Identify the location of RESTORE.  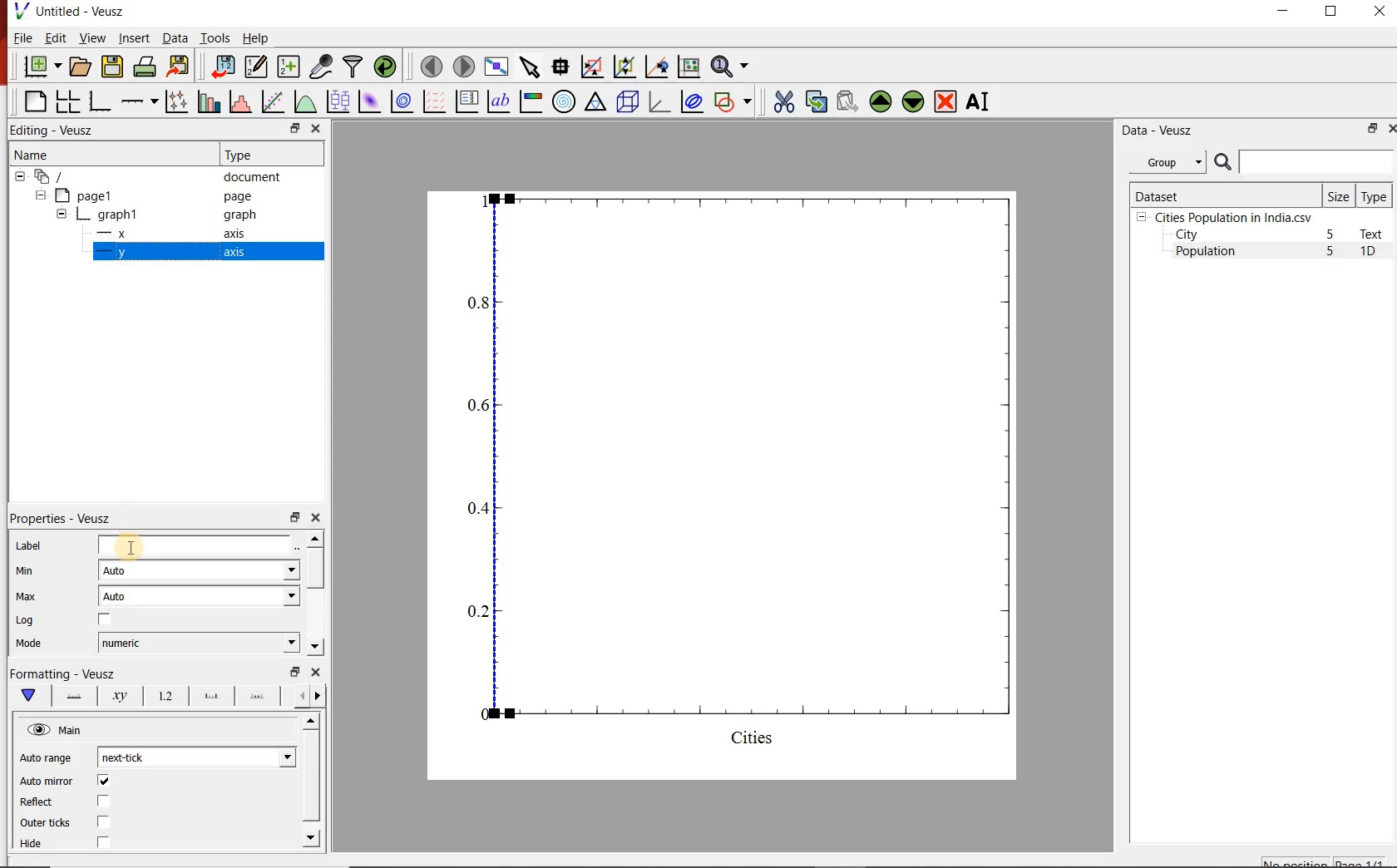
(1331, 12).